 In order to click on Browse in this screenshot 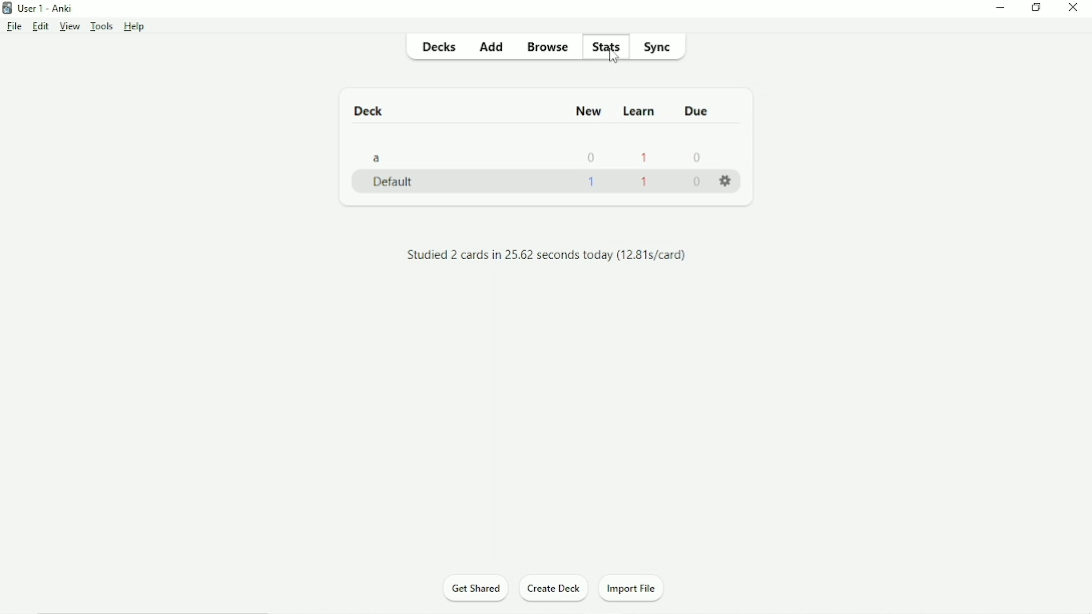, I will do `click(542, 46)`.